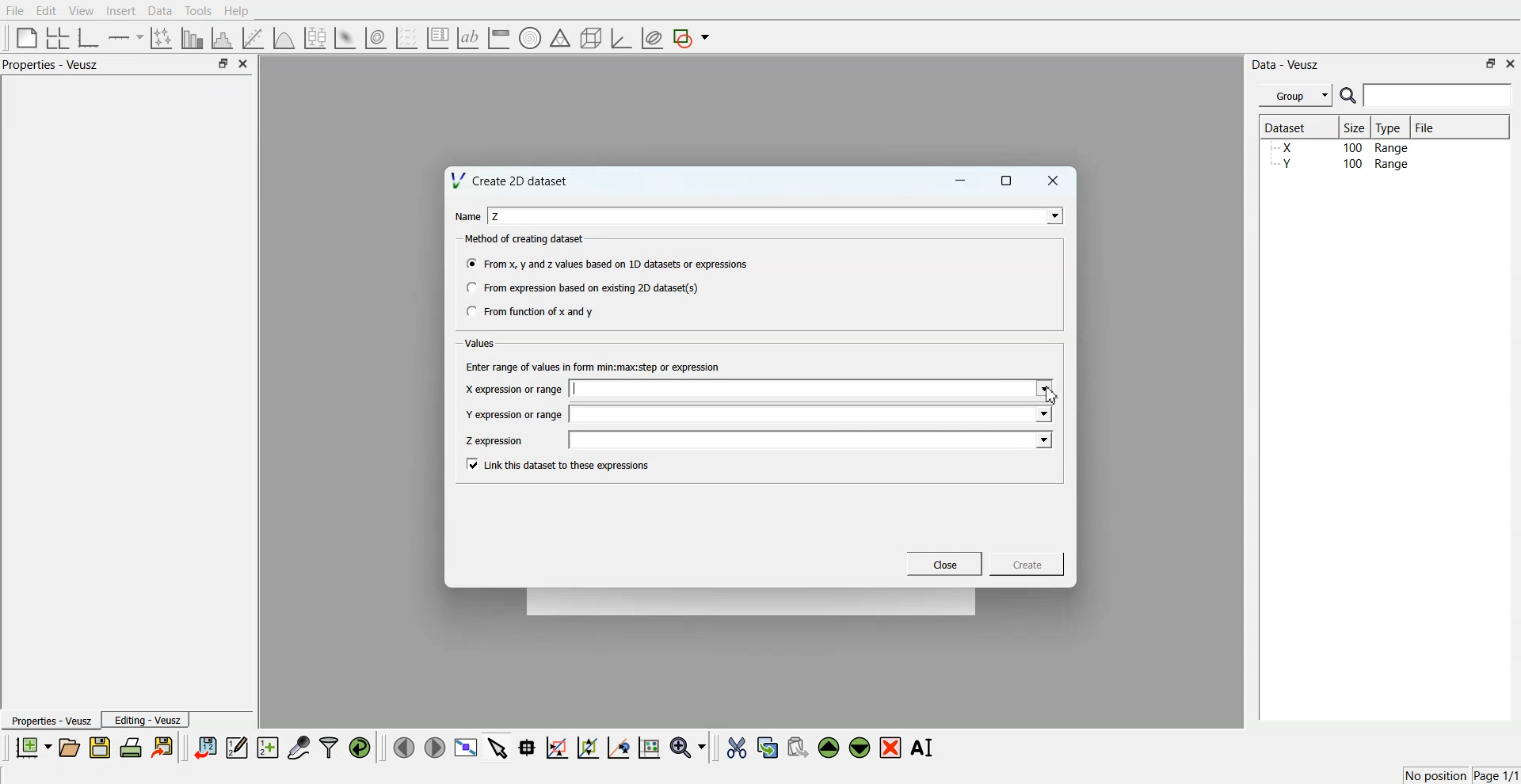  I want to click on MX expression or range, so click(513, 389).